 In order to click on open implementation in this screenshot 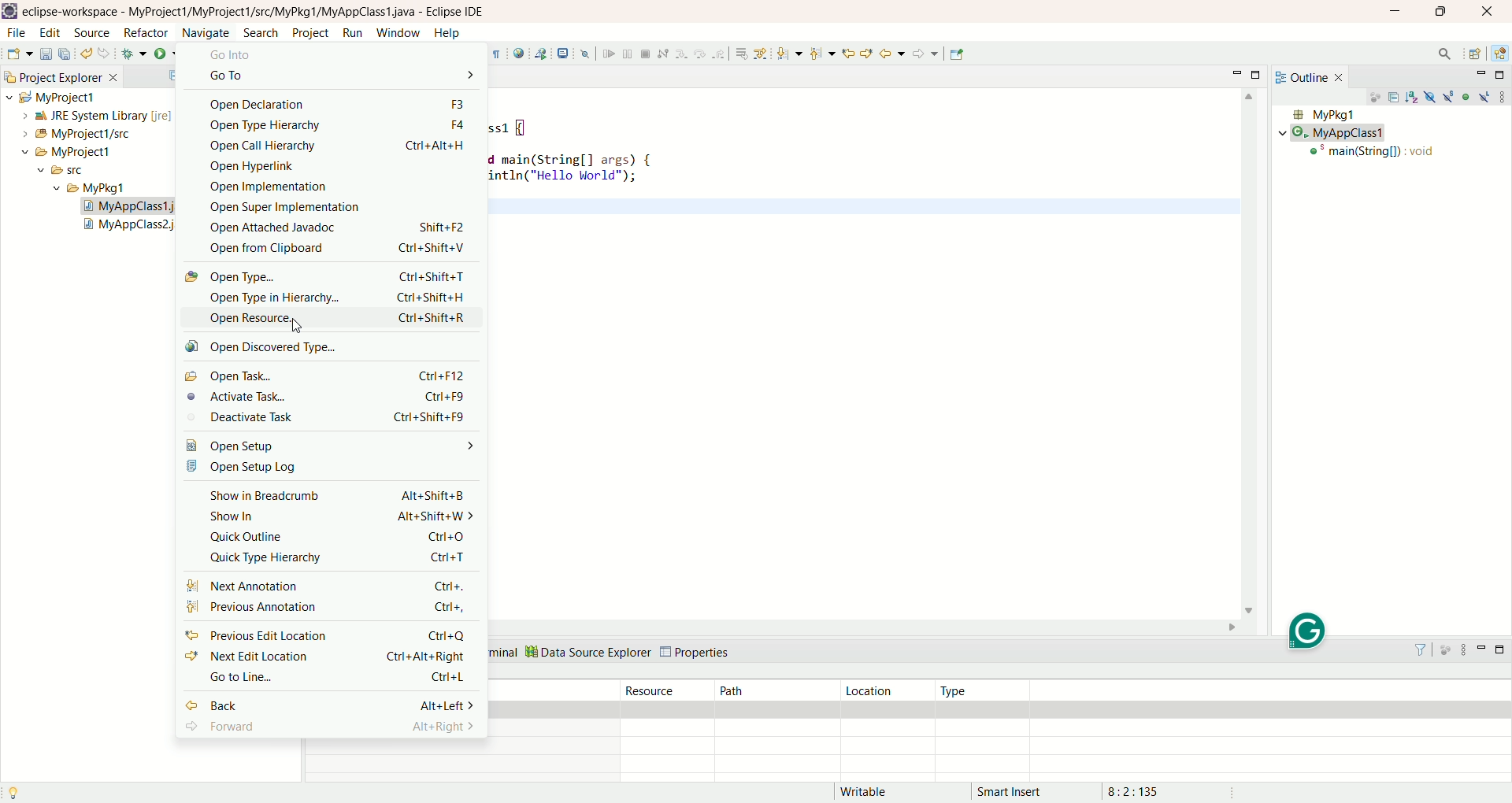, I will do `click(335, 187)`.